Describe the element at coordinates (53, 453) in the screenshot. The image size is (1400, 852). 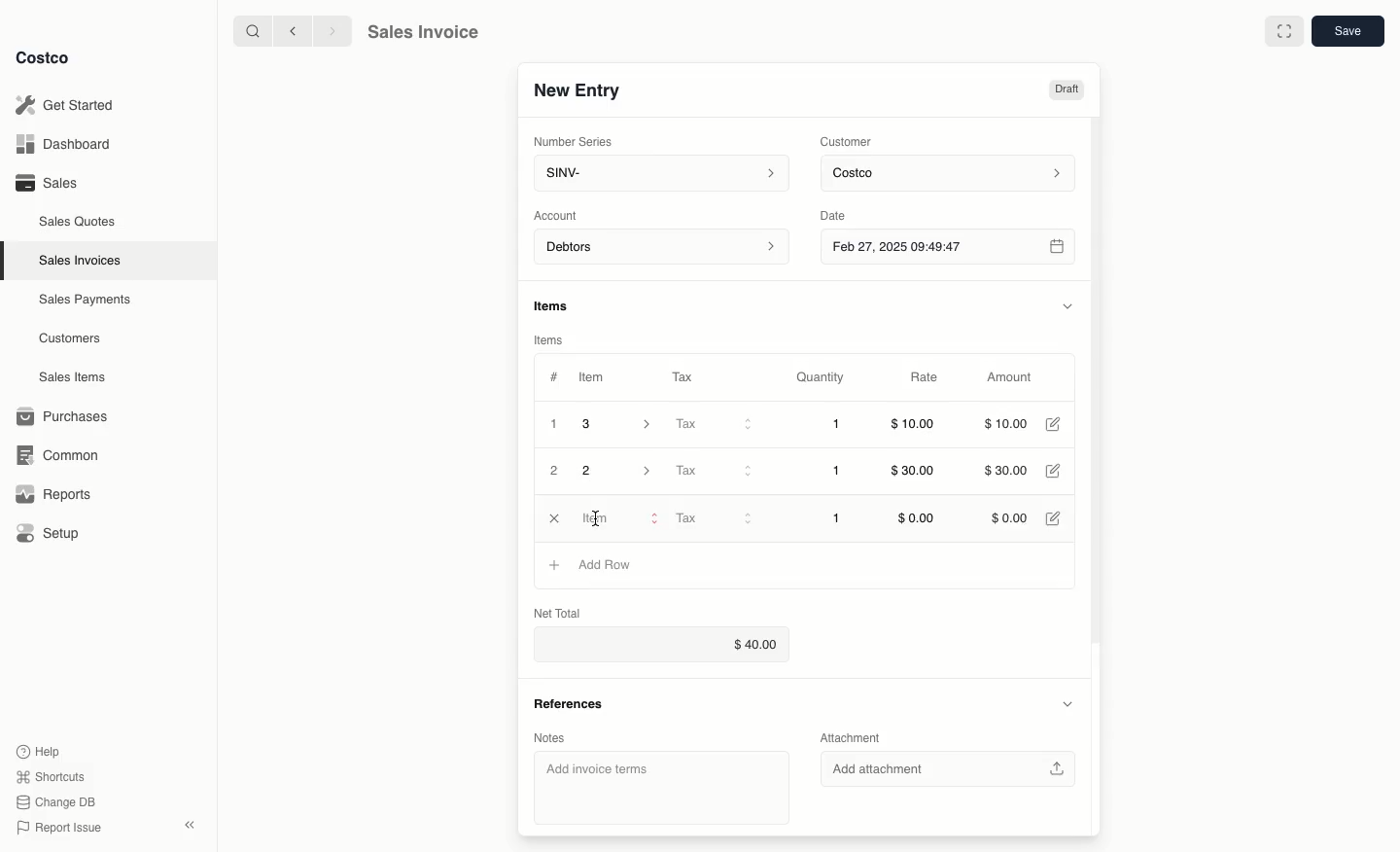
I see `Common` at that location.